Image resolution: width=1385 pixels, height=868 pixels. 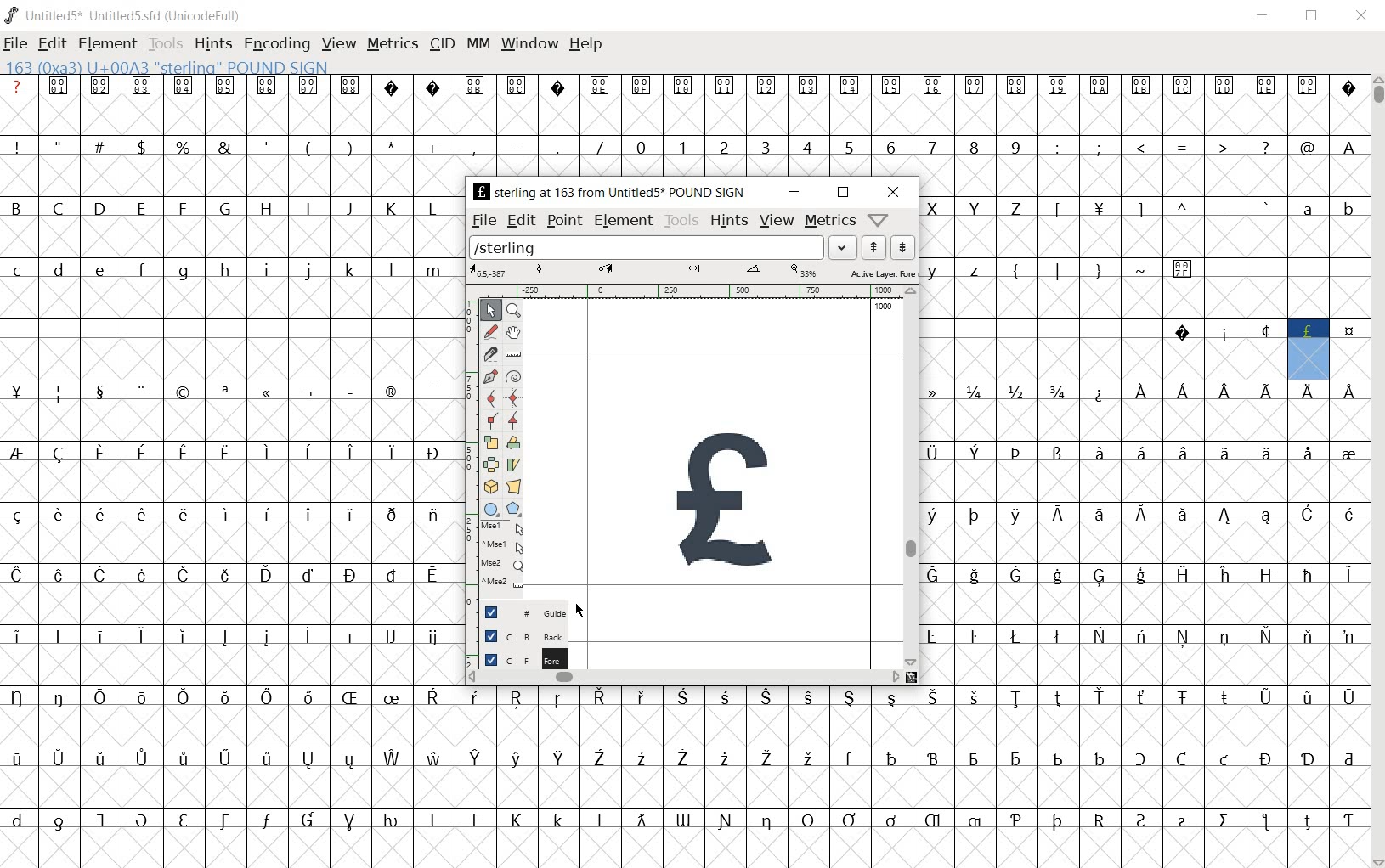 I want to click on zoom, so click(x=517, y=311).